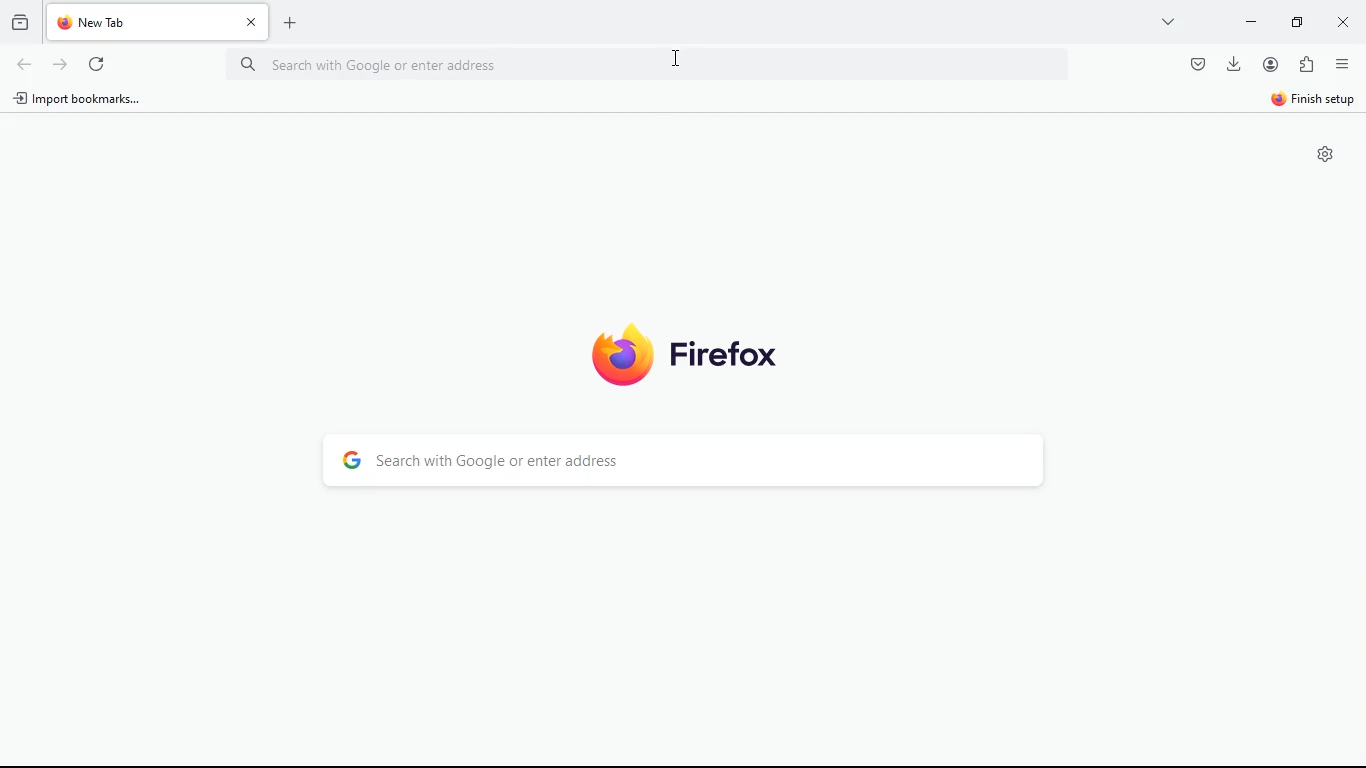 This screenshot has height=768, width=1366. Describe the element at coordinates (1232, 66) in the screenshot. I see `download` at that location.